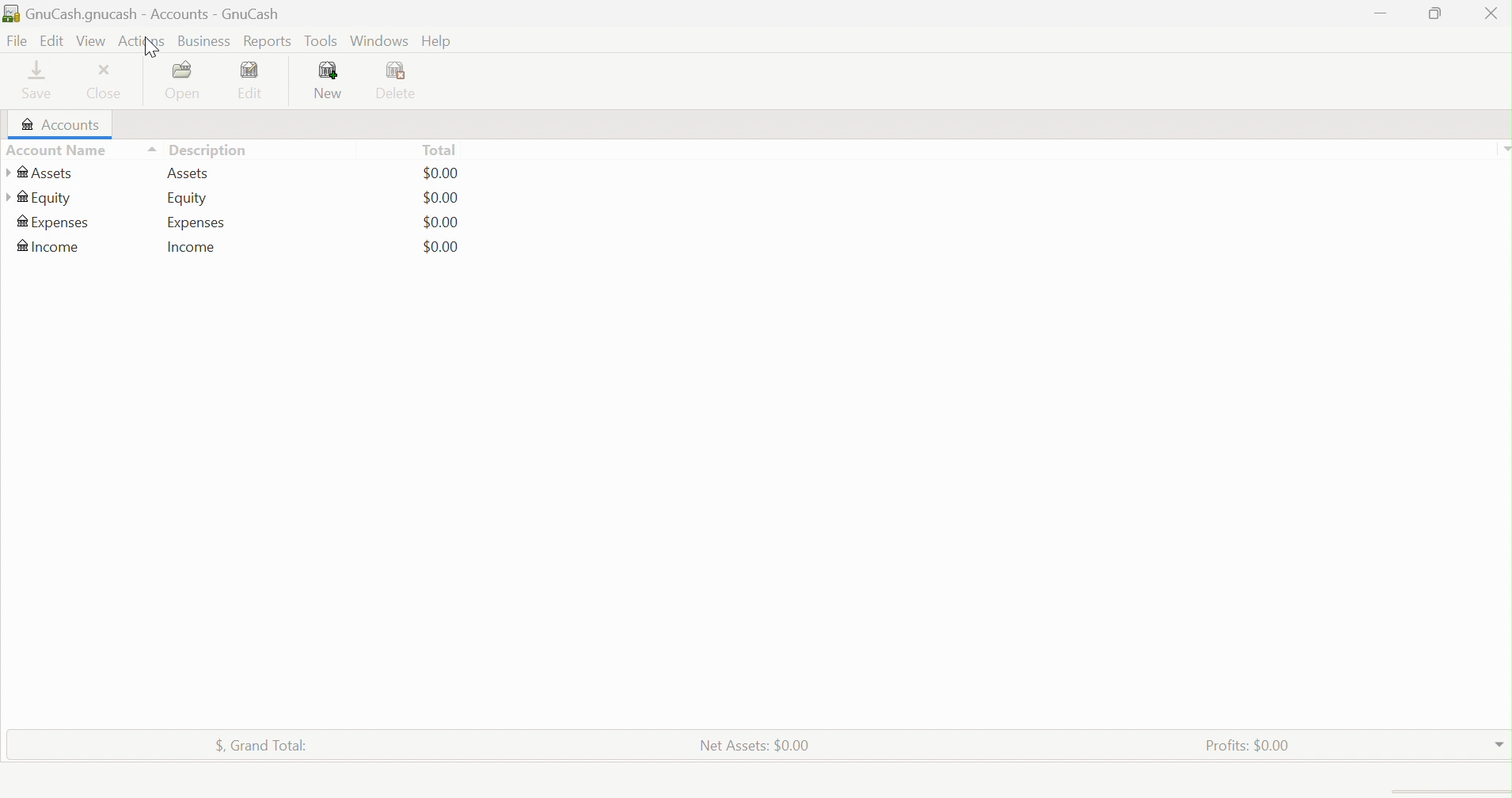 The width and height of the screenshot is (1512, 798). Describe the element at coordinates (142, 15) in the screenshot. I see `GnuCash.gnucash - Accounts - GnuCash` at that location.